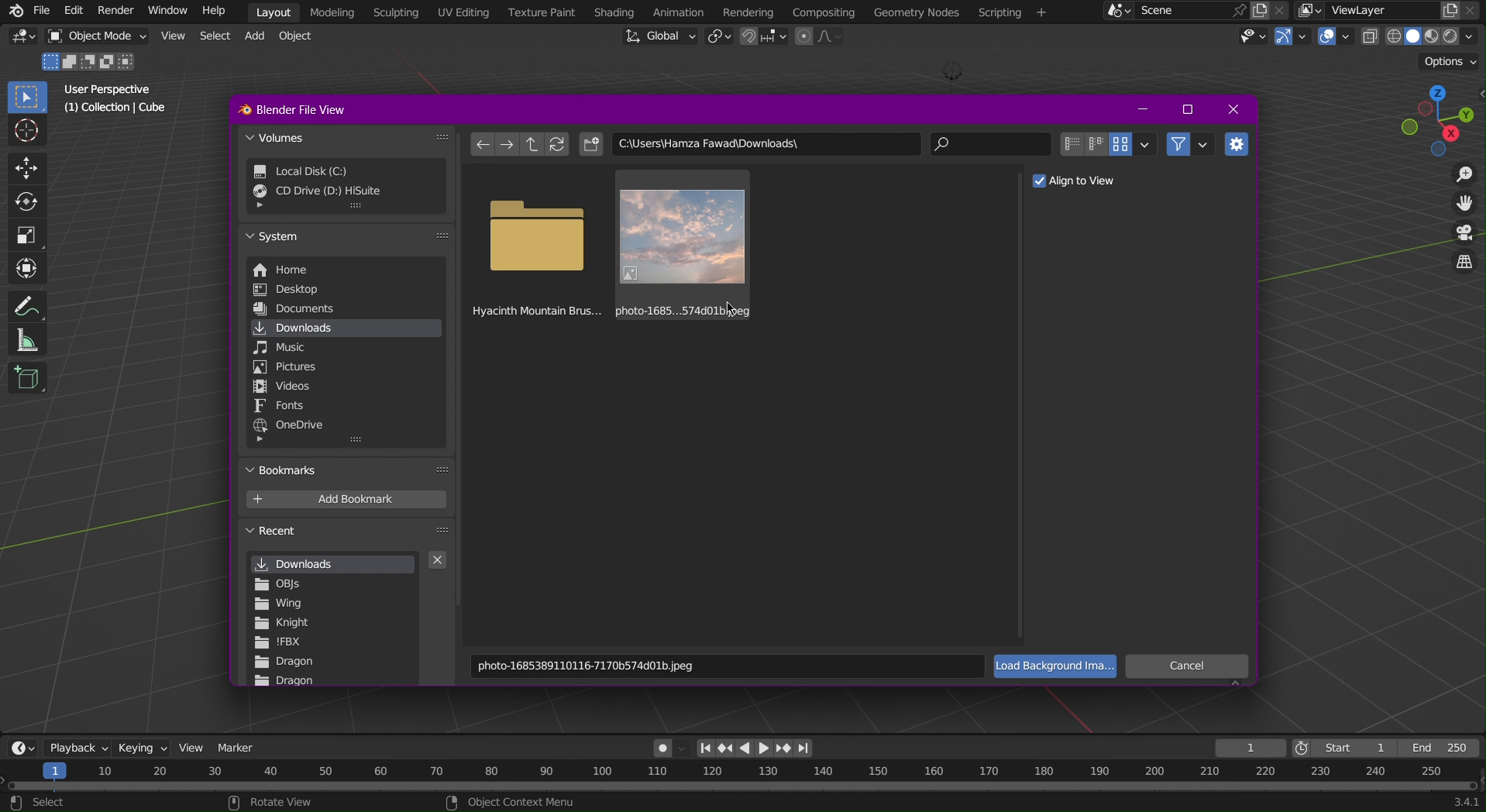 The image size is (1486, 812). What do you see at coordinates (24, 305) in the screenshot?
I see `Annotate` at bounding box center [24, 305].